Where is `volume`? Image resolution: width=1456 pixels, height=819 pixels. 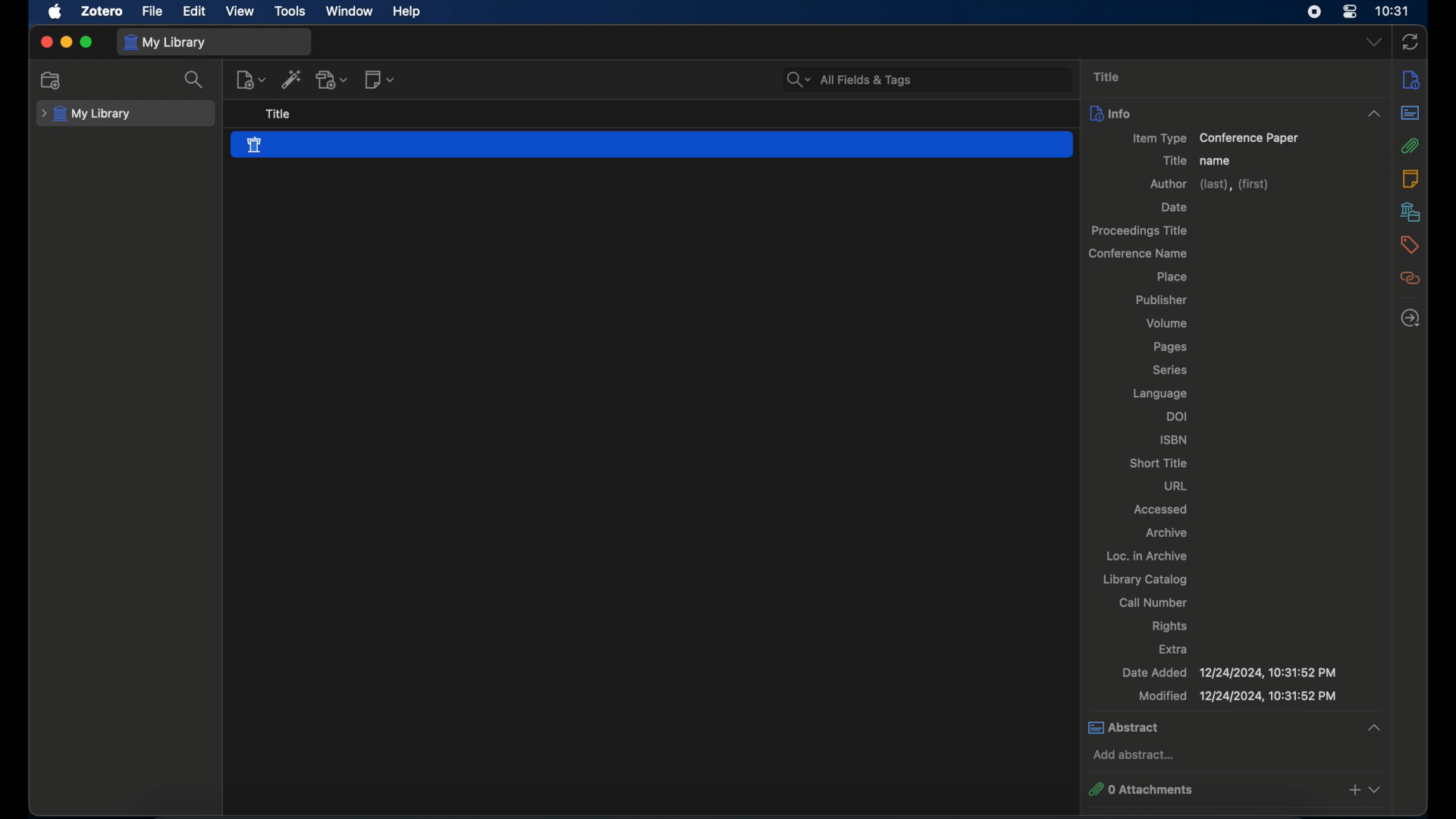
volume is located at coordinates (1166, 324).